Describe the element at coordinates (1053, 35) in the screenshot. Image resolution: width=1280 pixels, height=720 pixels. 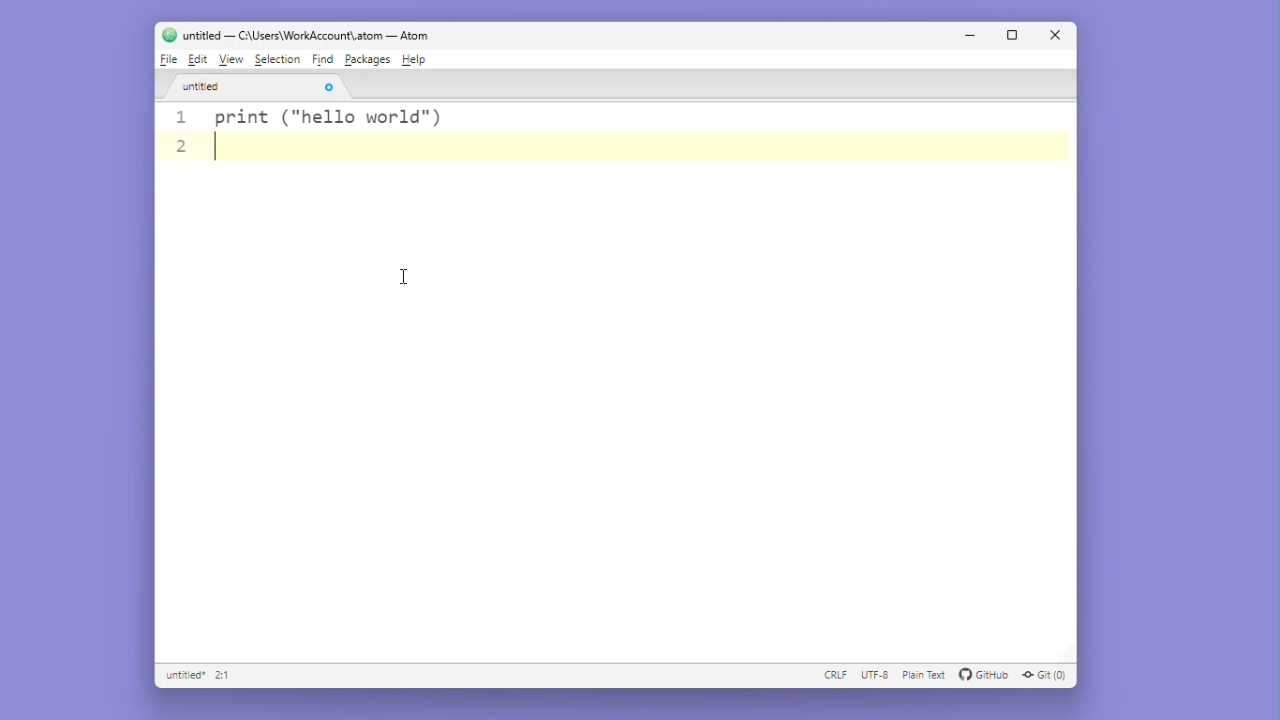
I see `Close` at that location.